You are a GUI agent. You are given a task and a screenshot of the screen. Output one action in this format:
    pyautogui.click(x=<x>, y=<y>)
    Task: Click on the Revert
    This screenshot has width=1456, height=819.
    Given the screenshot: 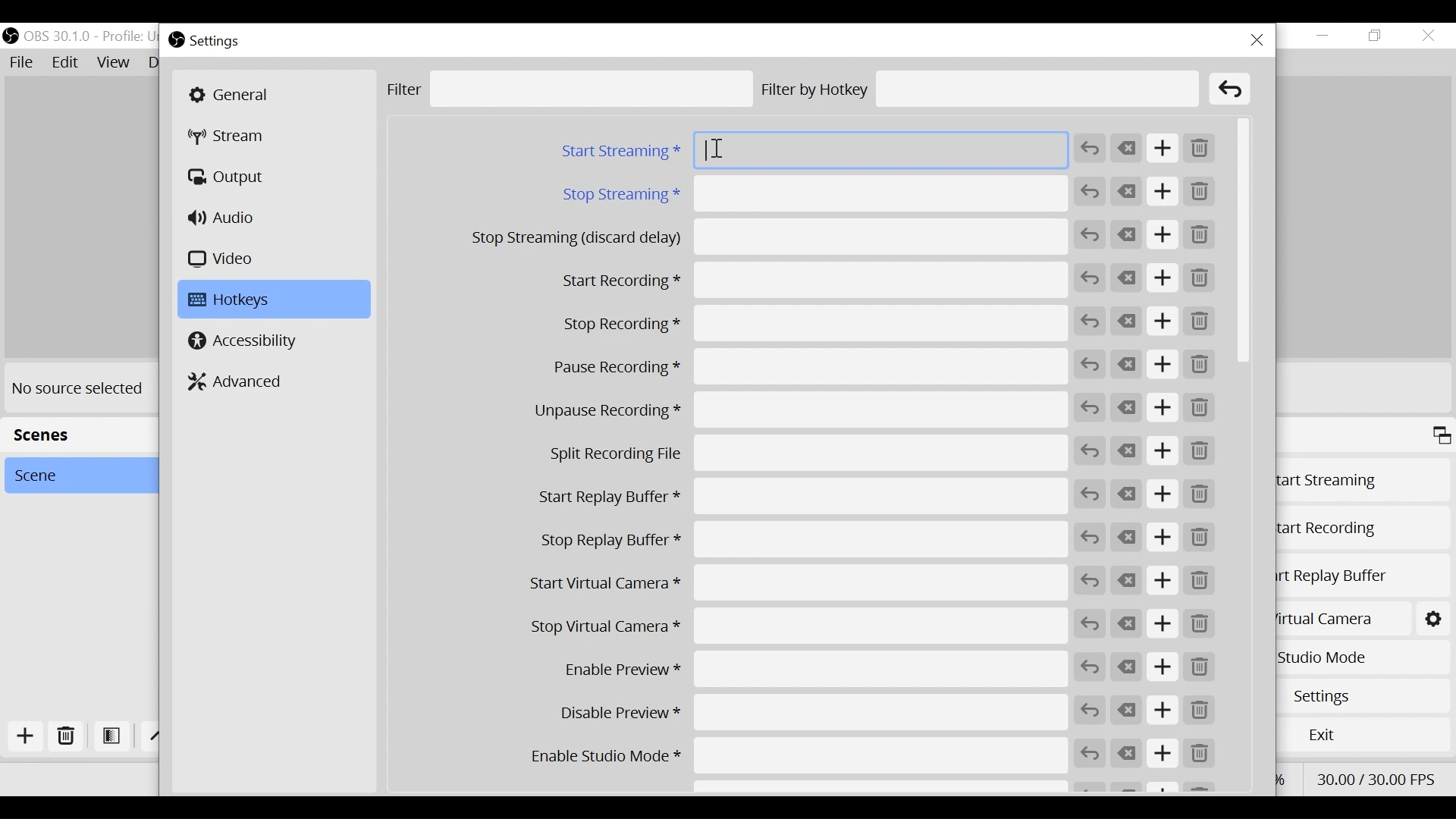 What is the action you would take?
    pyautogui.click(x=1089, y=149)
    